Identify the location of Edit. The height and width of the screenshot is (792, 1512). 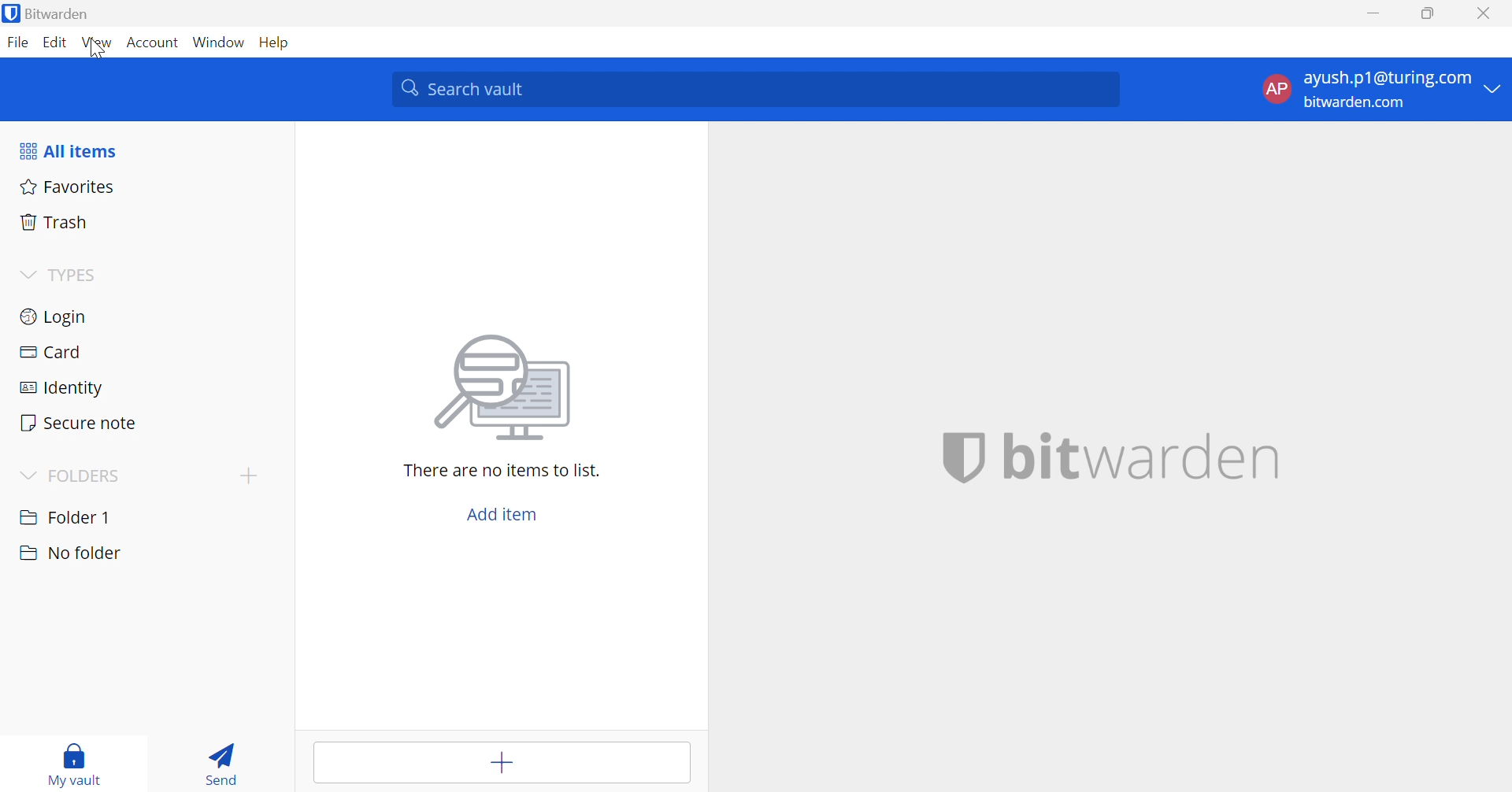
(57, 43).